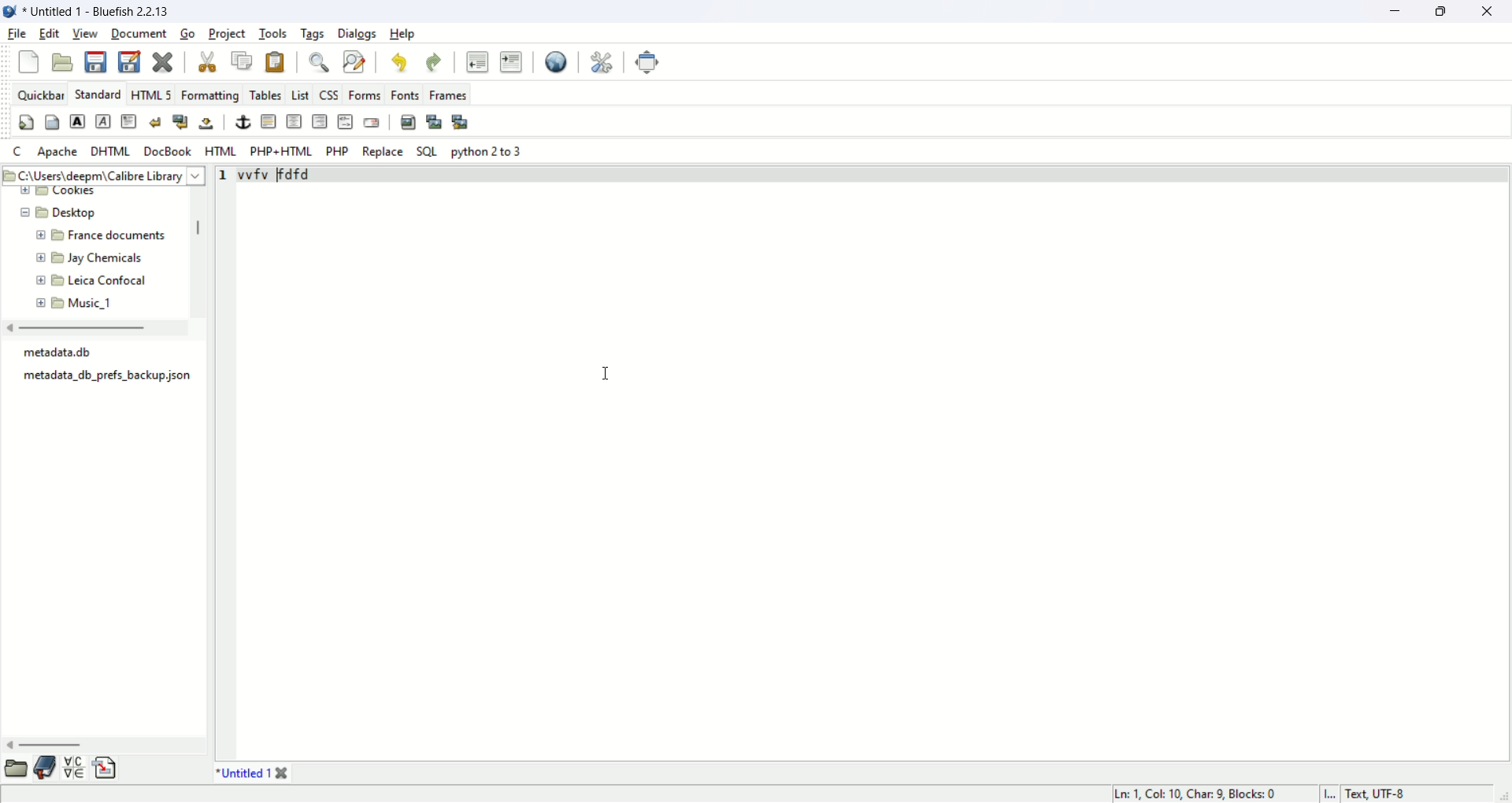 The width and height of the screenshot is (1512, 803). I want to click on minimize, so click(1393, 9).